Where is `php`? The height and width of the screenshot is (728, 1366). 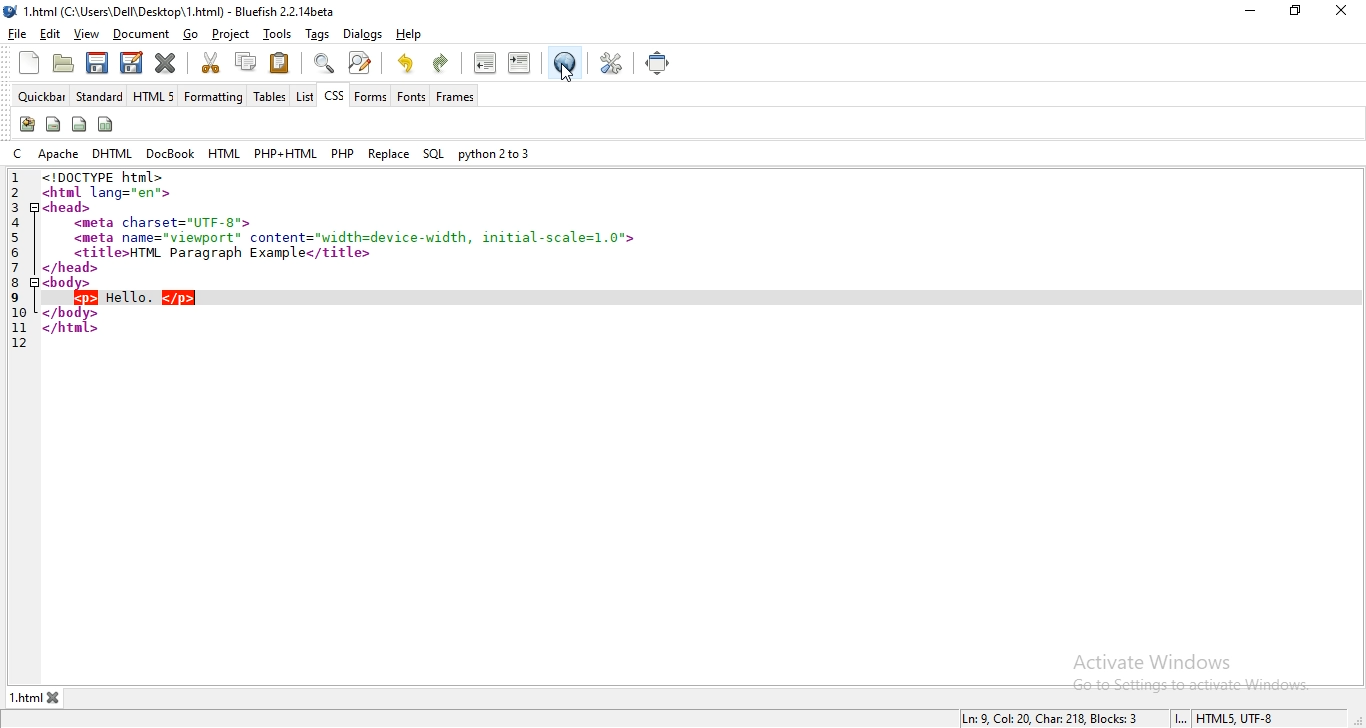 php is located at coordinates (343, 151).